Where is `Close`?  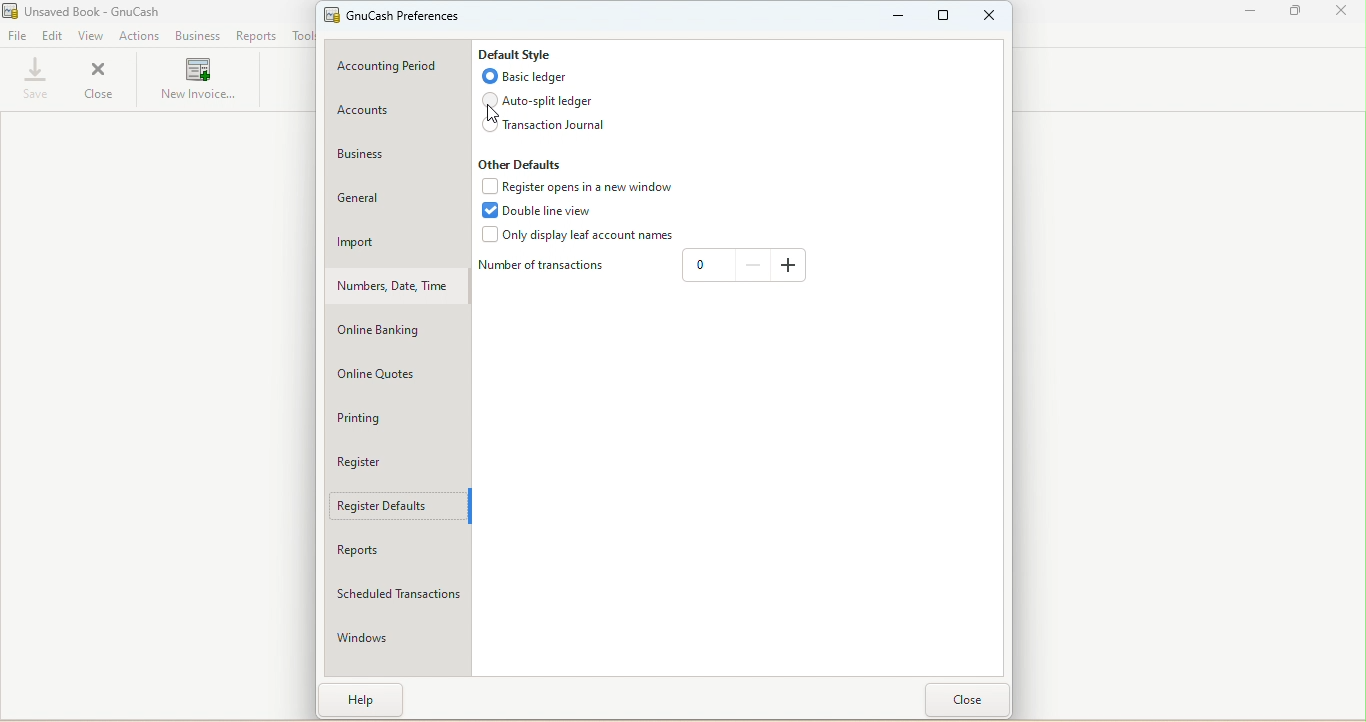
Close is located at coordinates (969, 703).